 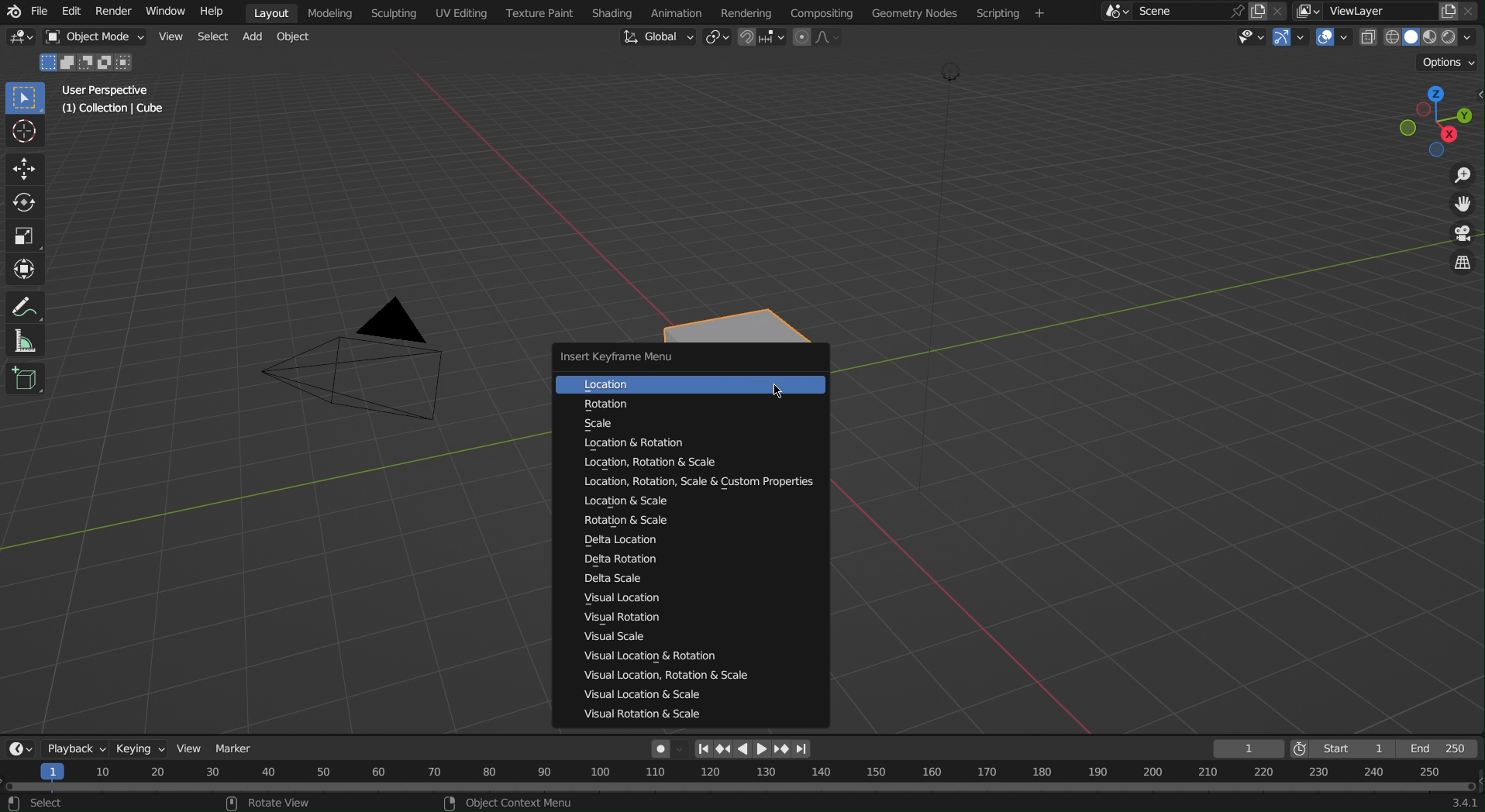 I want to click on Transform, so click(x=25, y=268).